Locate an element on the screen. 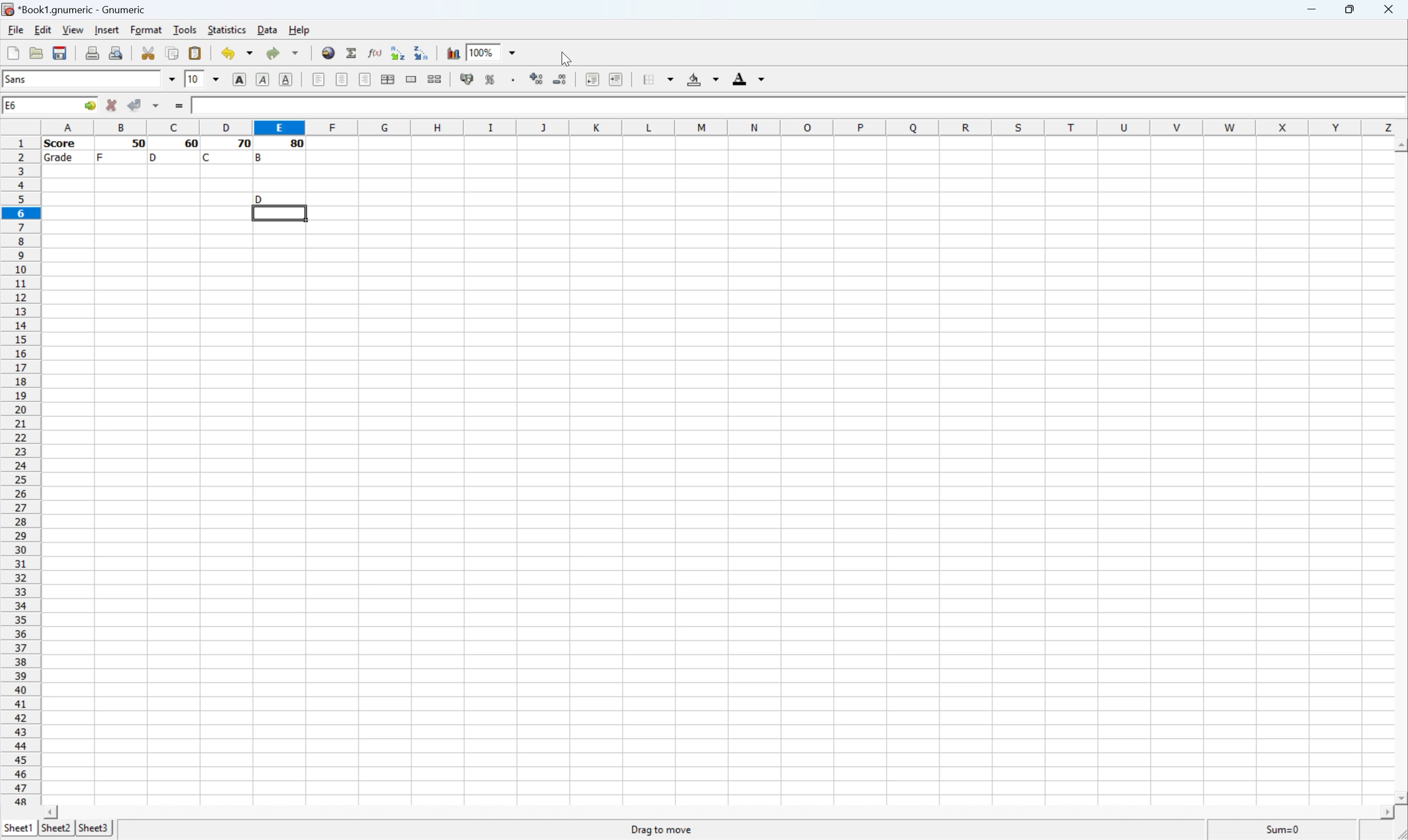 The height and width of the screenshot is (840, 1408). Borders is located at coordinates (660, 78).